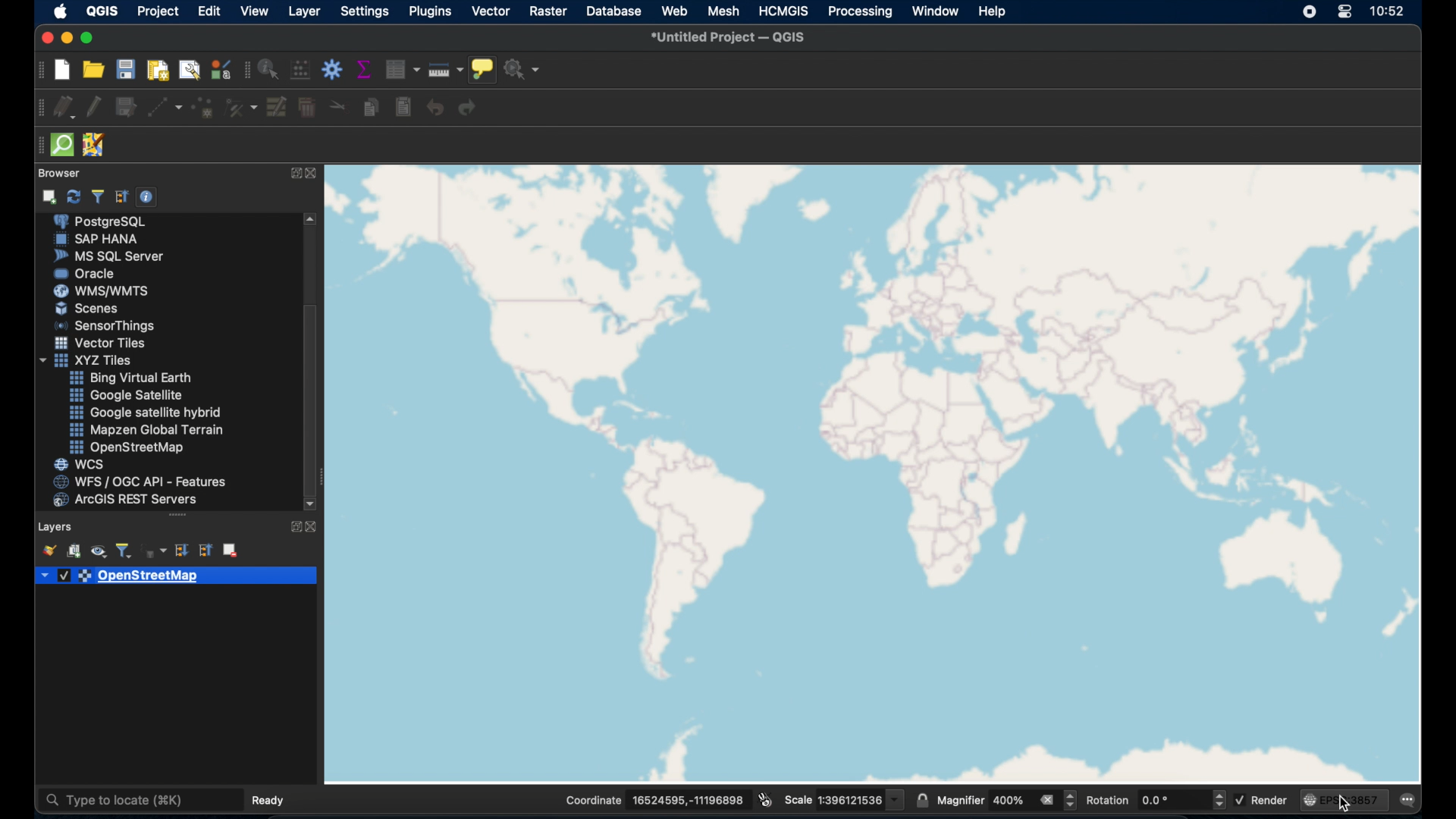 Image resolution: width=1456 pixels, height=819 pixels. I want to click on layer, so click(306, 12).